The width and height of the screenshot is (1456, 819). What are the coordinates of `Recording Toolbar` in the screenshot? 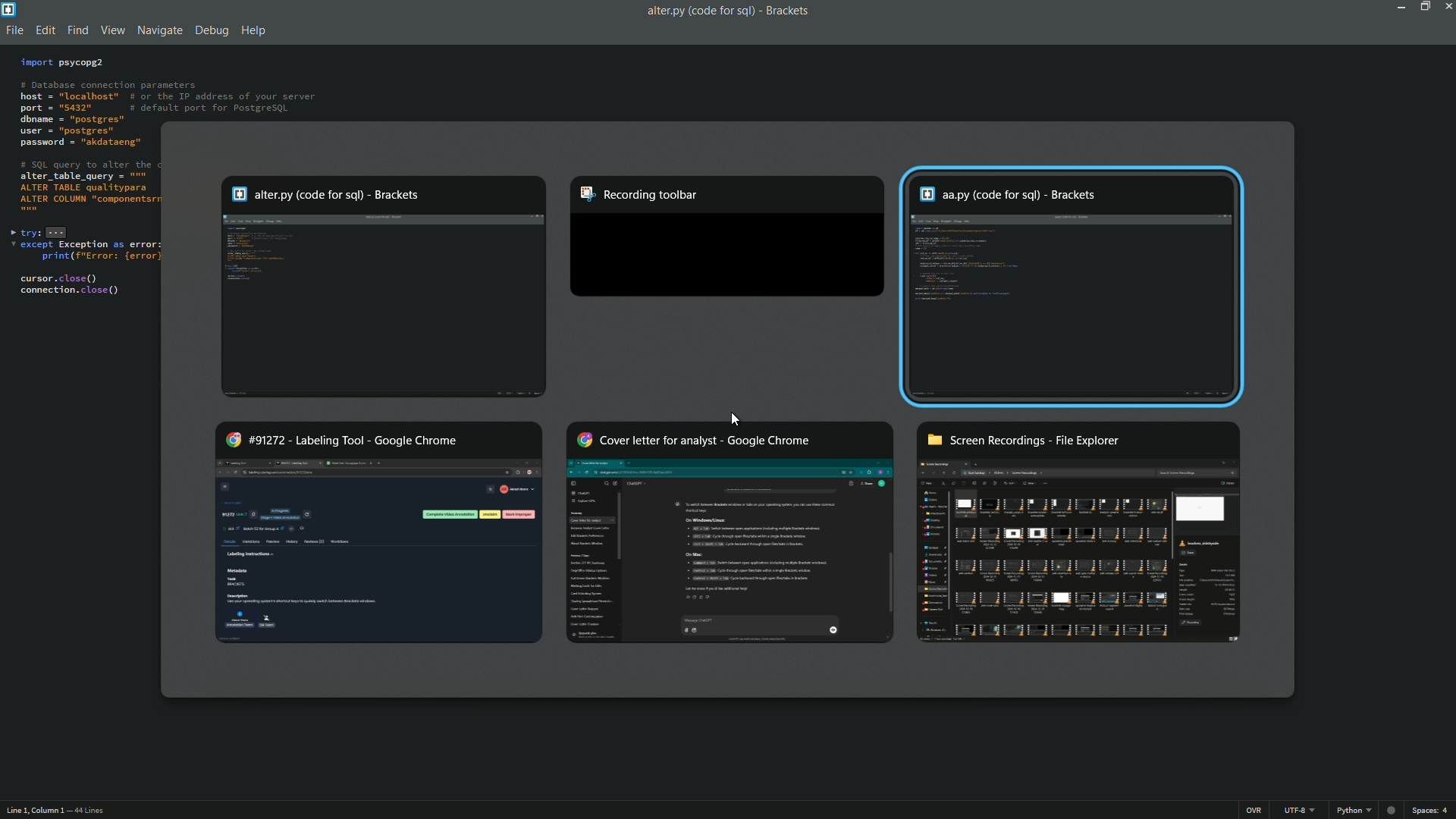 It's located at (726, 240).